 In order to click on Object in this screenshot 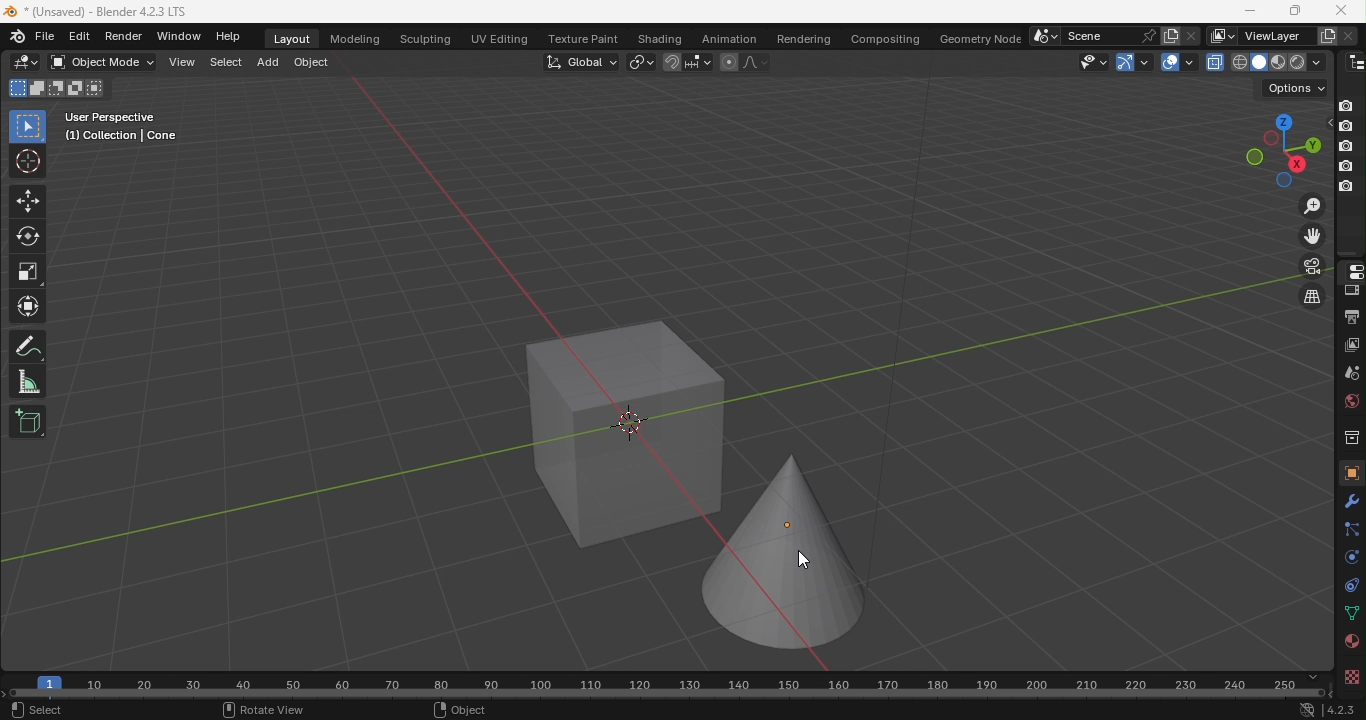, I will do `click(463, 711)`.